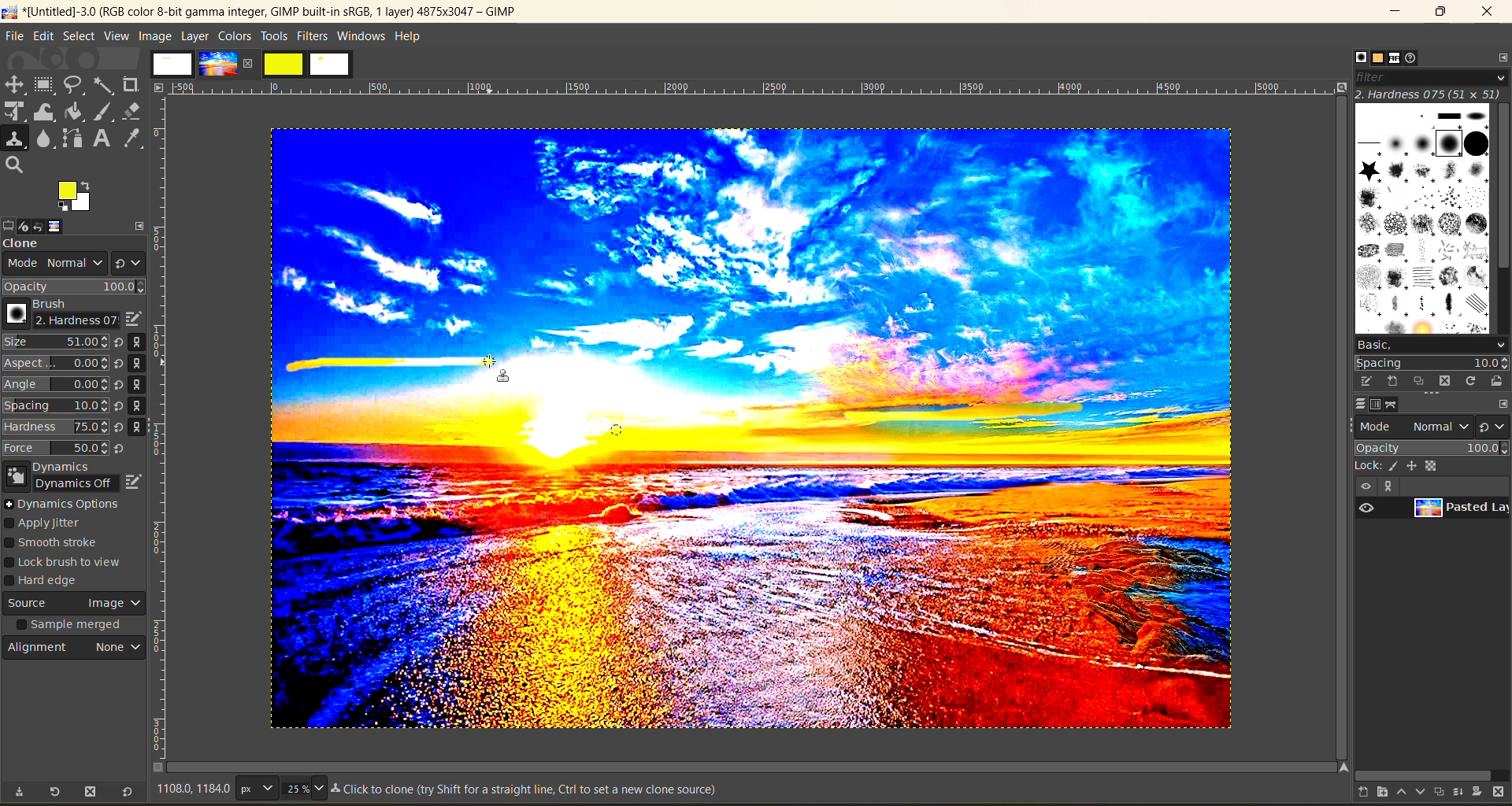  I want to click on configure, so click(1503, 403).